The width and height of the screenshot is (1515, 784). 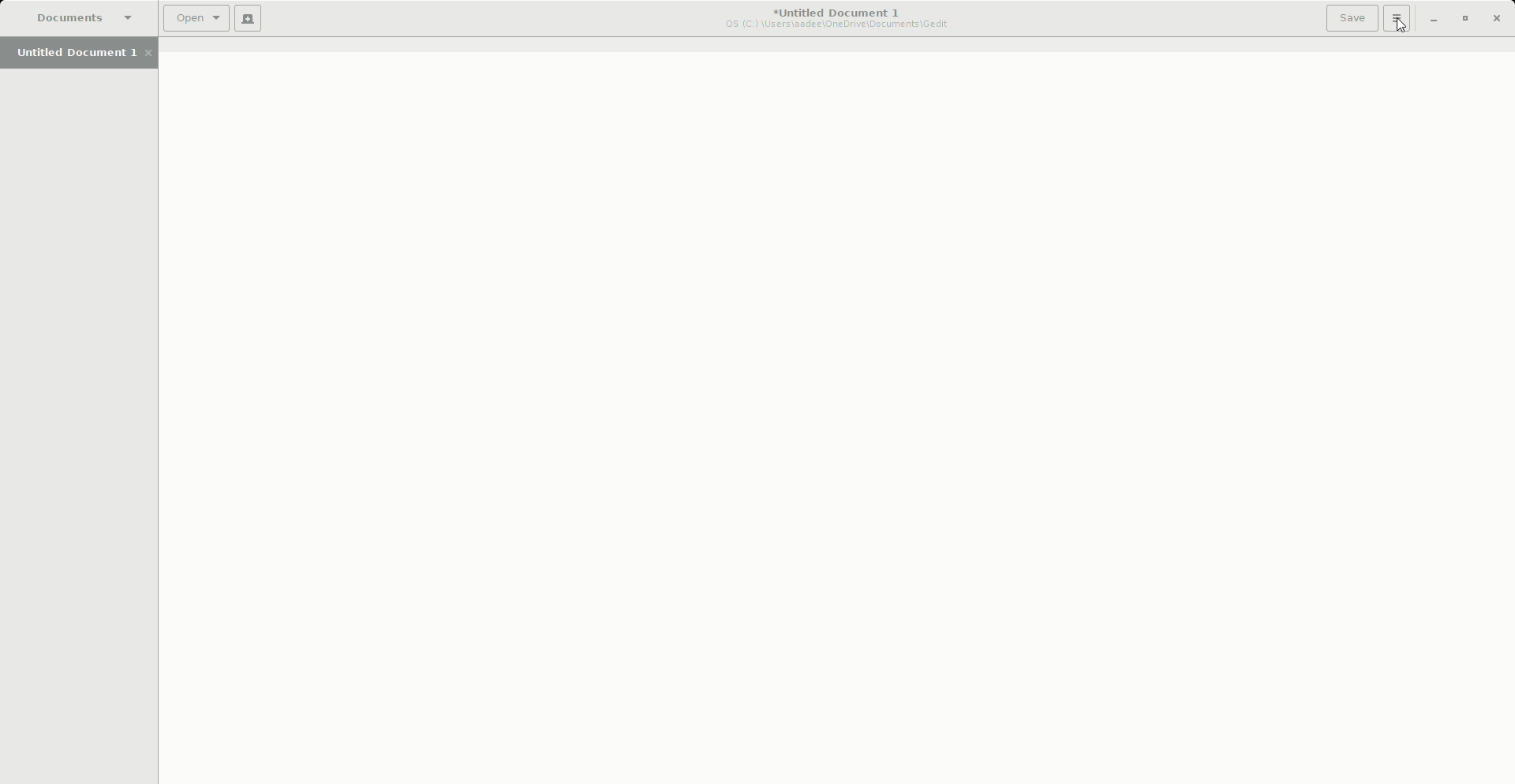 I want to click on Documents, so click(x=77, y=17).